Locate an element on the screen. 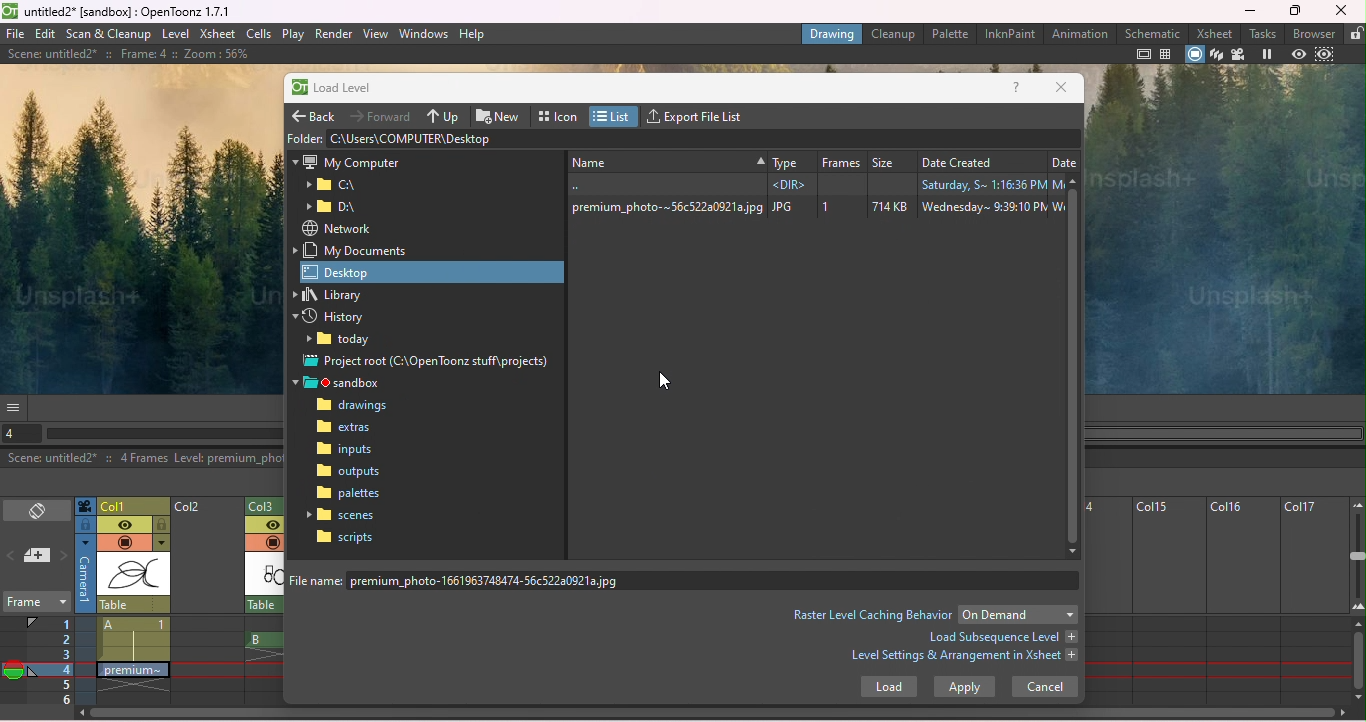  Sub-camera is located at coordinates (1327, 55).